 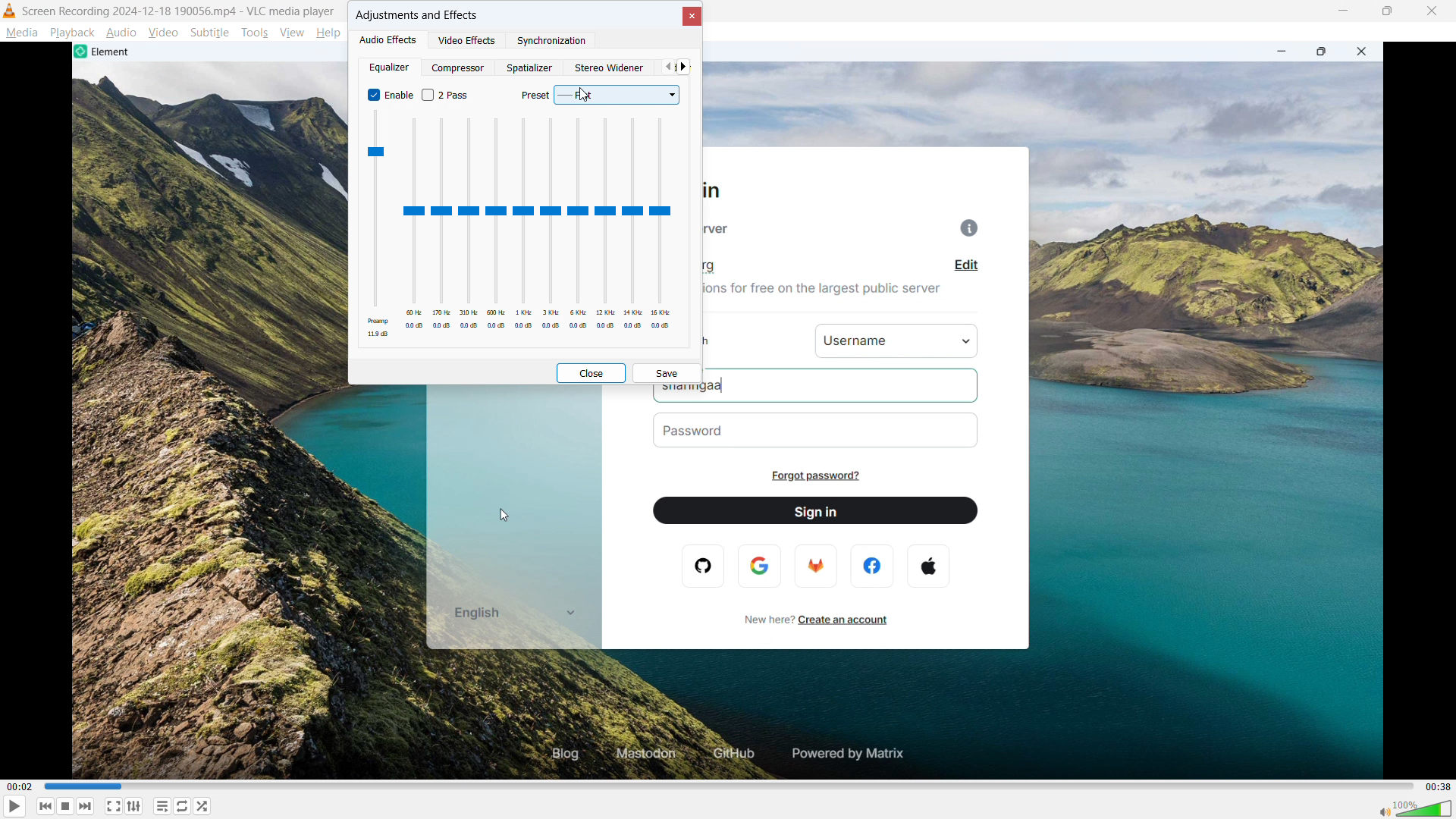 I want to click on next tab , so click(x=683, y=67).